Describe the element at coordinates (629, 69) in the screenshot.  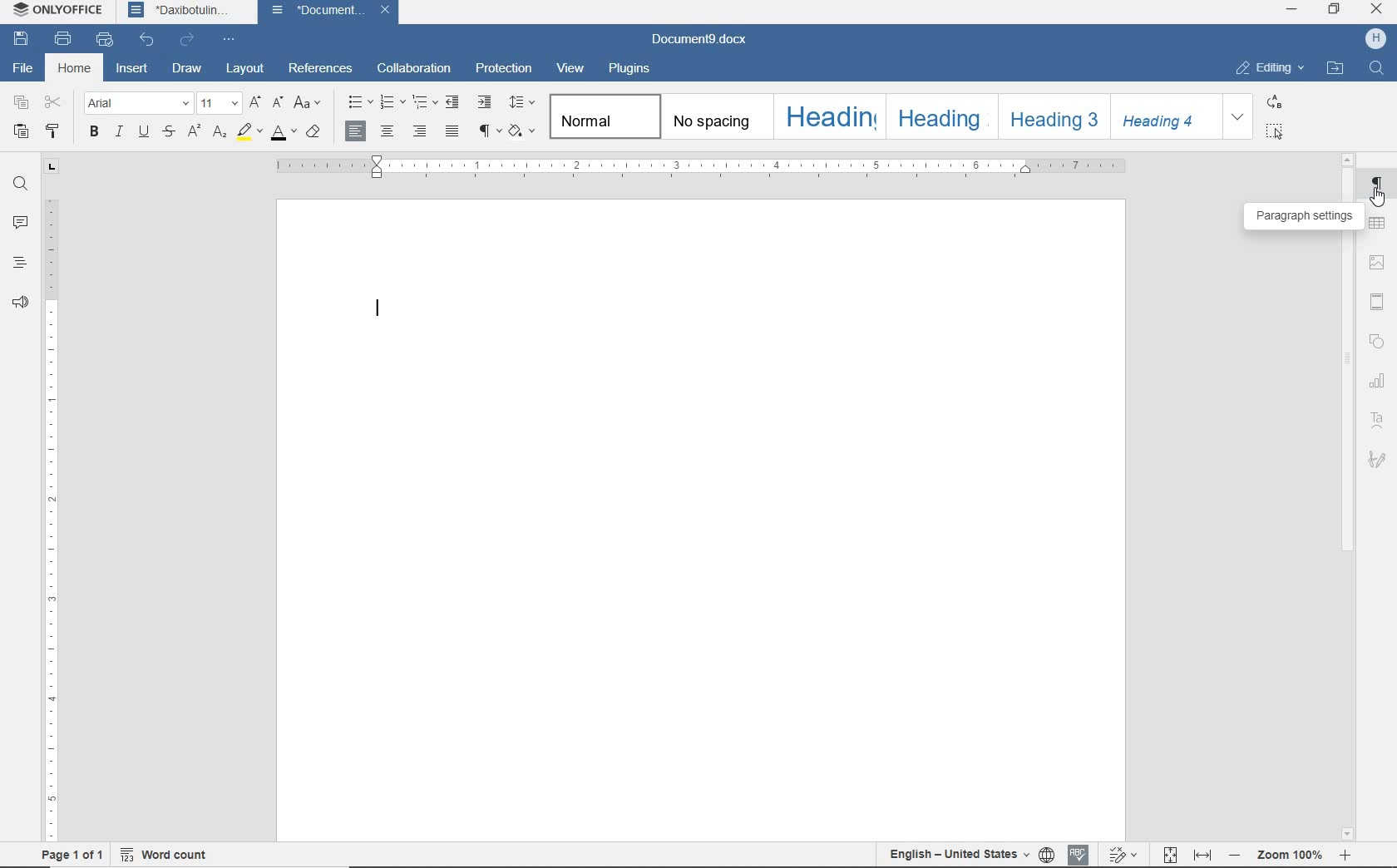
I see `plugins` at that location.